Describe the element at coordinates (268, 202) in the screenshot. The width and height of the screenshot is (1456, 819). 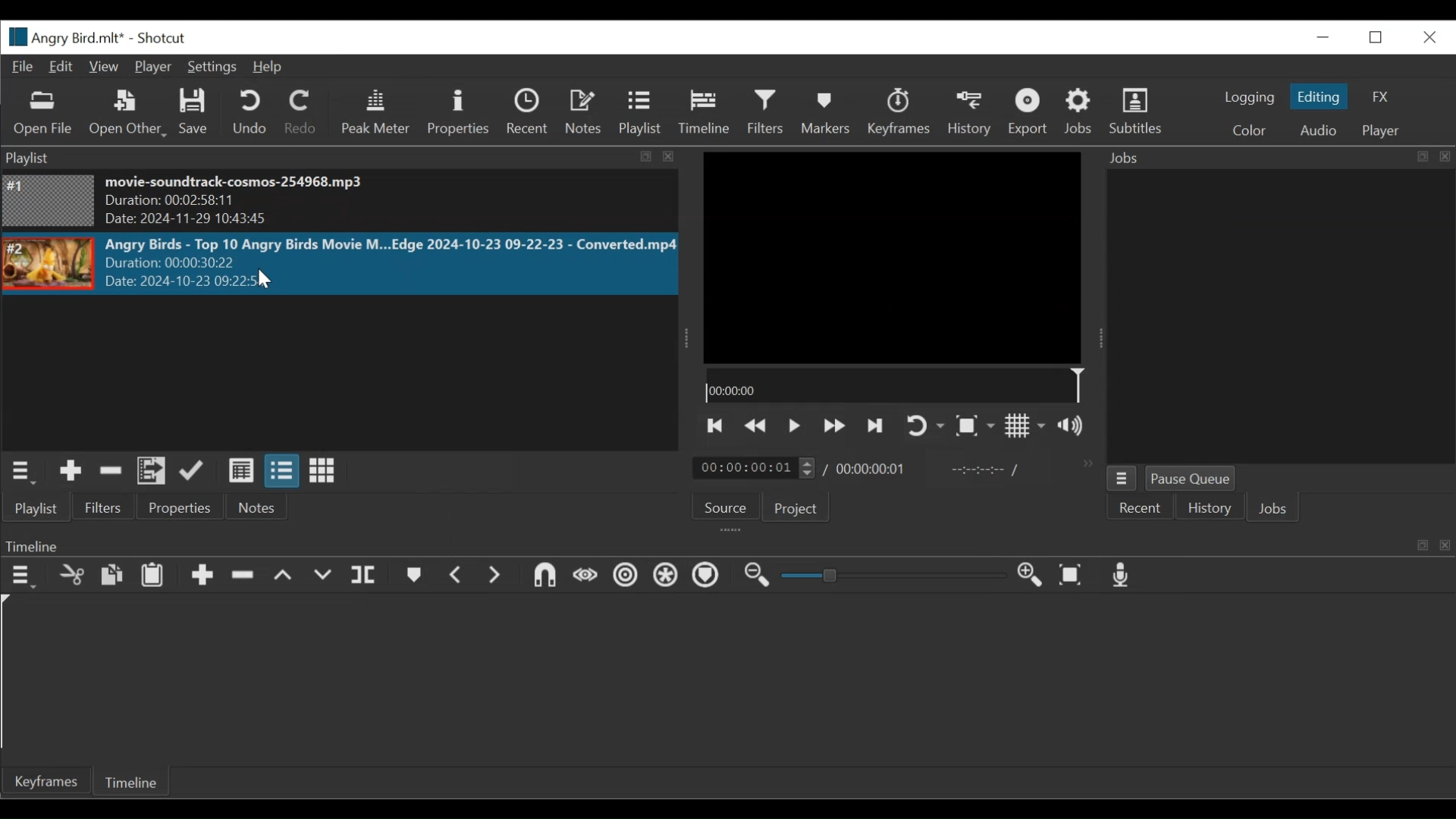
I see `movie-soundtrack-cosmos-254968.mp3
Duration: 00:02:58:11
Date: 2024-11-29 10:43:45` at that location.